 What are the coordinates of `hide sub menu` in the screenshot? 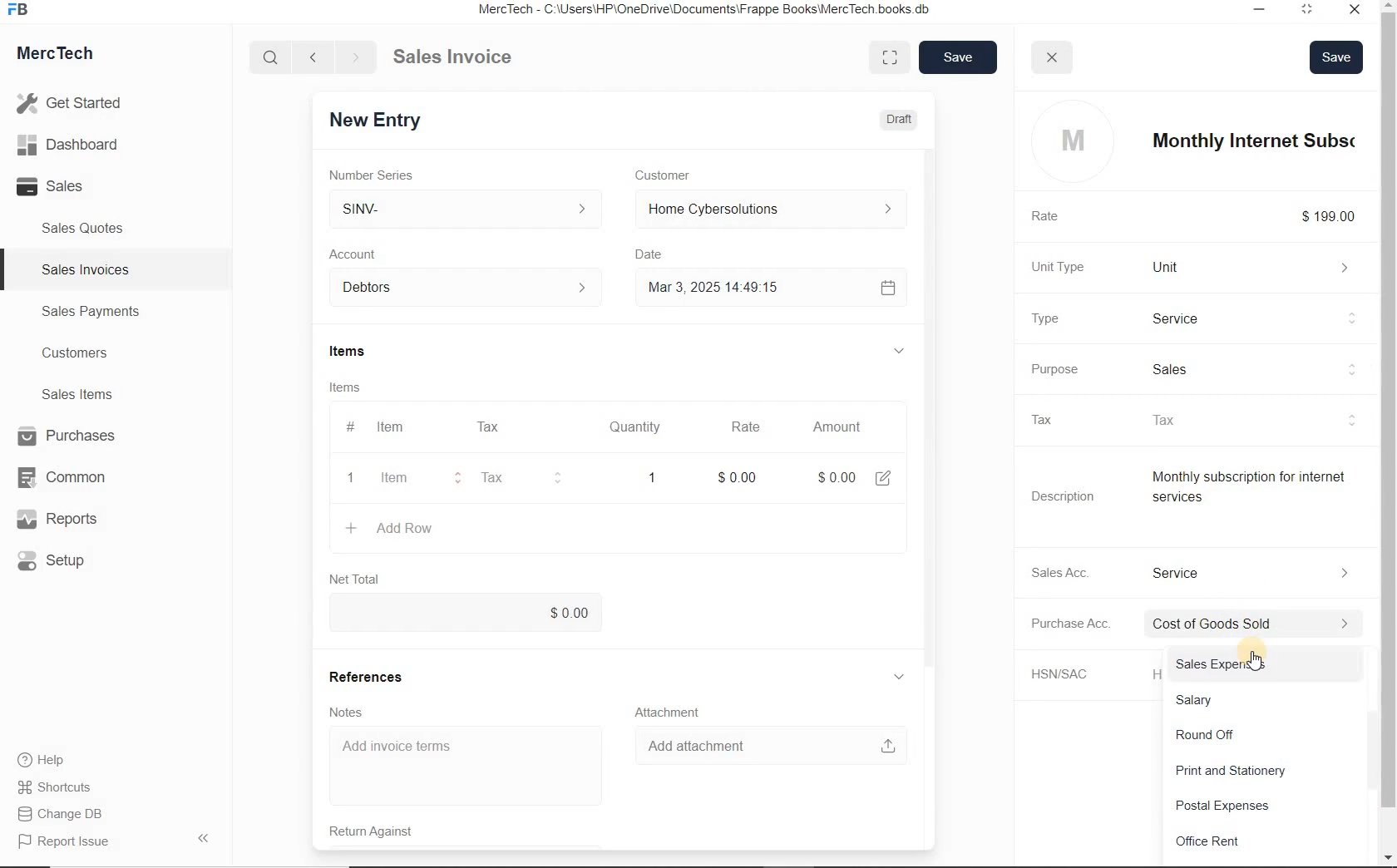 It's located at (907, 352).